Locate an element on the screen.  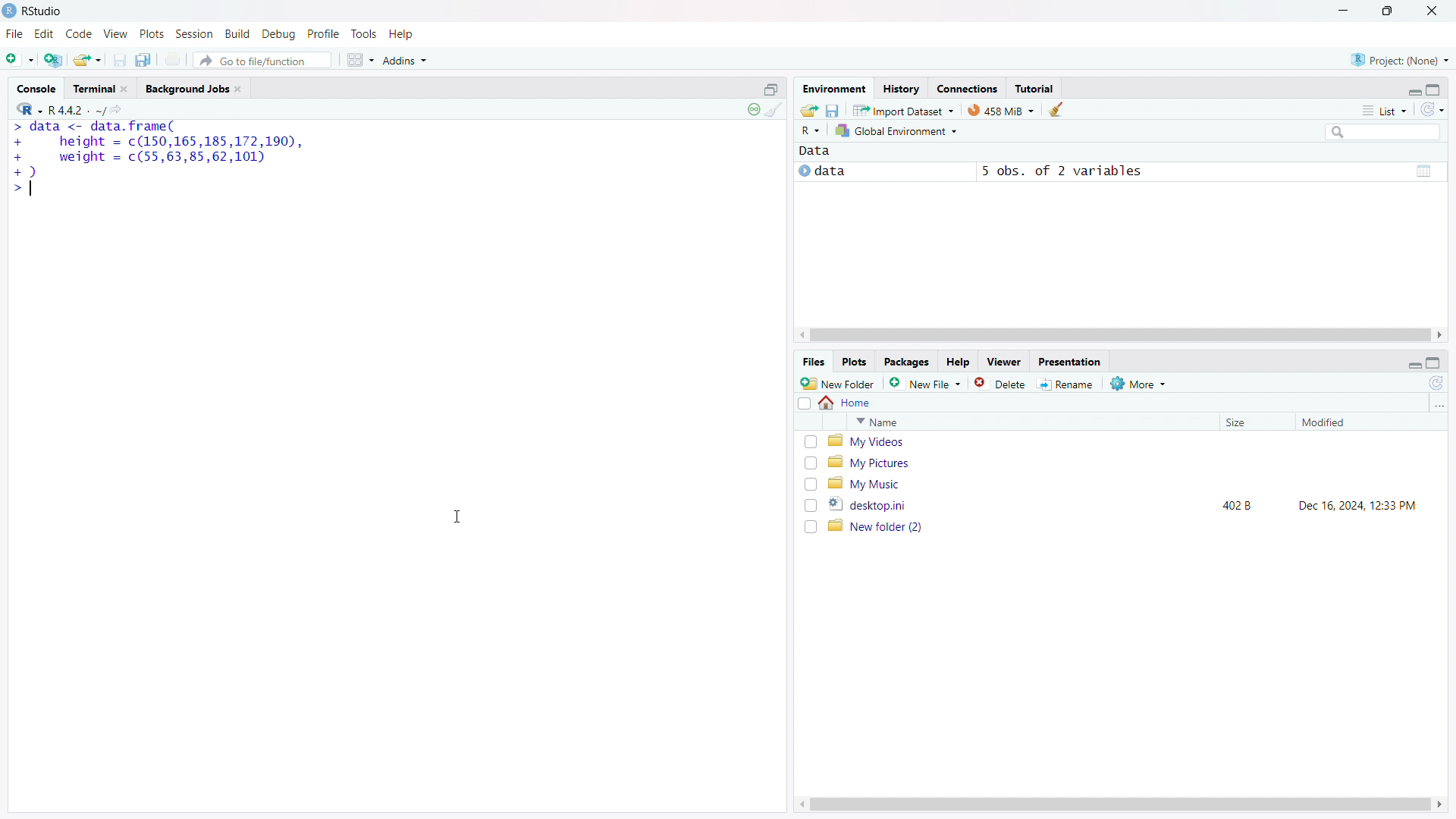
debug is located at coordinates (279, 34).